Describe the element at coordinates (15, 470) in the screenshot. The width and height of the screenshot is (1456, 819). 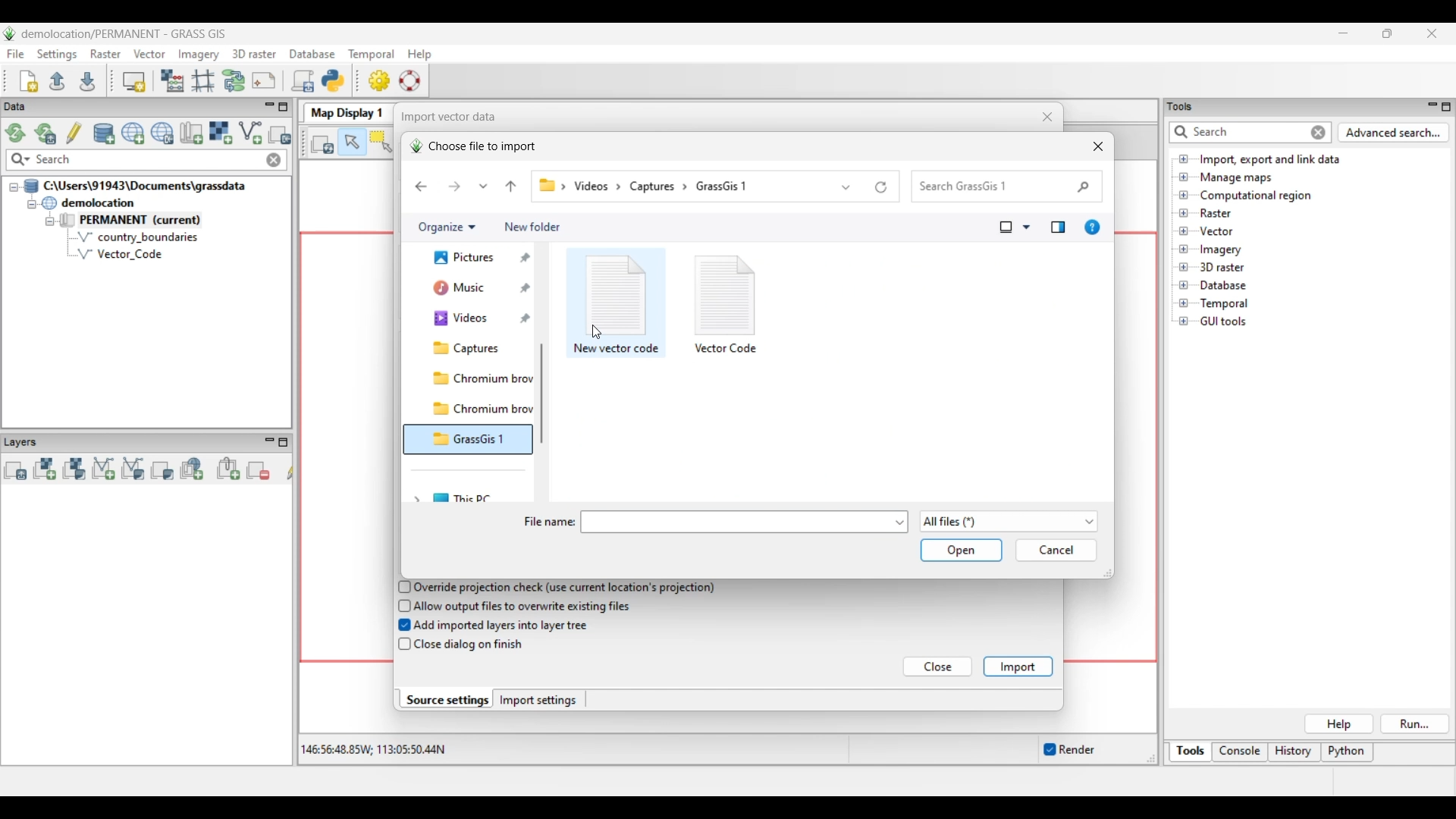
I see `Add multiple vector or raster map layers` at that location.